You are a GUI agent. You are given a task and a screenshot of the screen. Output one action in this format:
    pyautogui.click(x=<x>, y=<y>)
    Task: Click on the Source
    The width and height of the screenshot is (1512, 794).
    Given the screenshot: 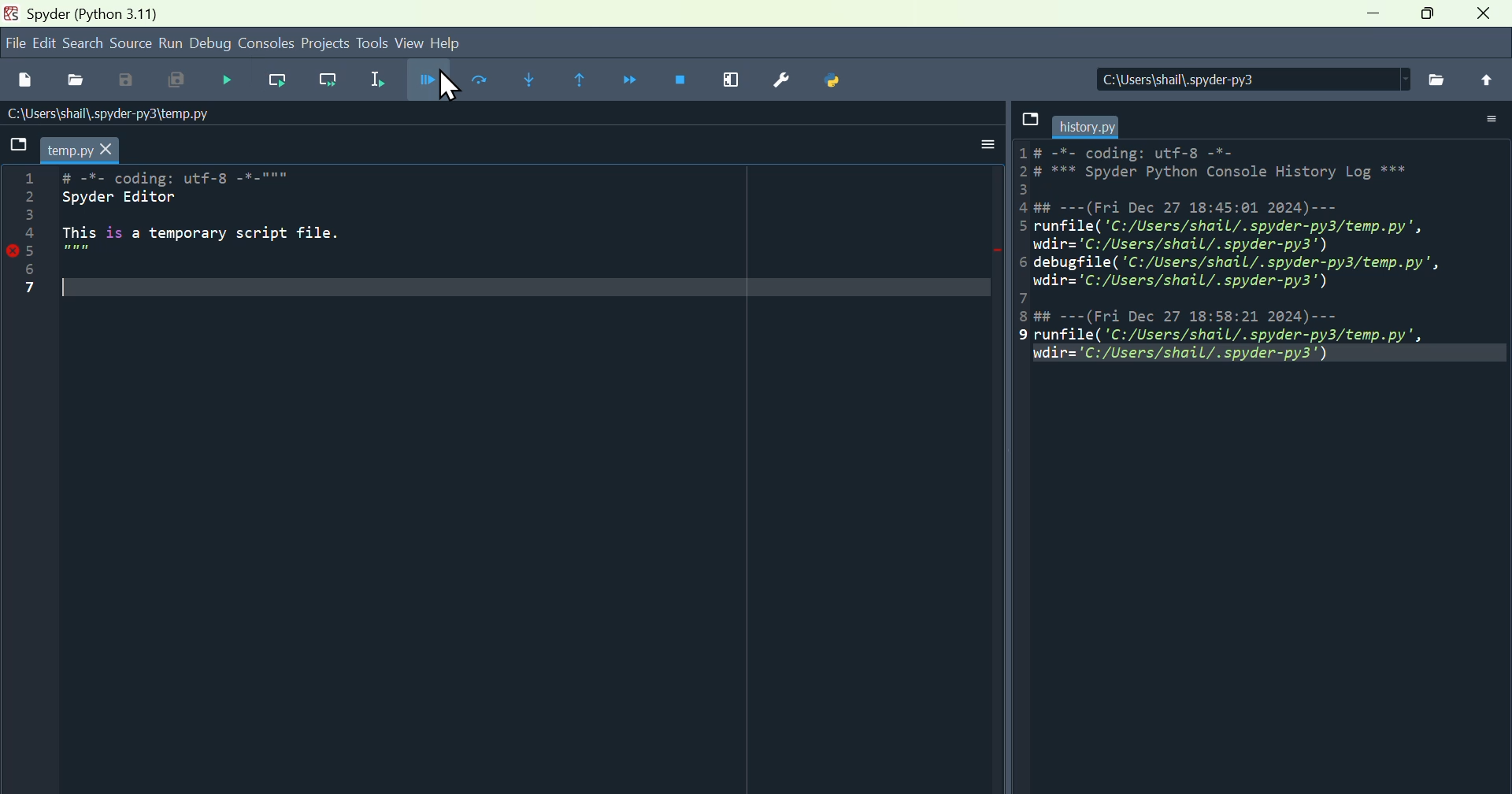 What is the action you would take?
    pyautogui.click(x=132, y=43)
    